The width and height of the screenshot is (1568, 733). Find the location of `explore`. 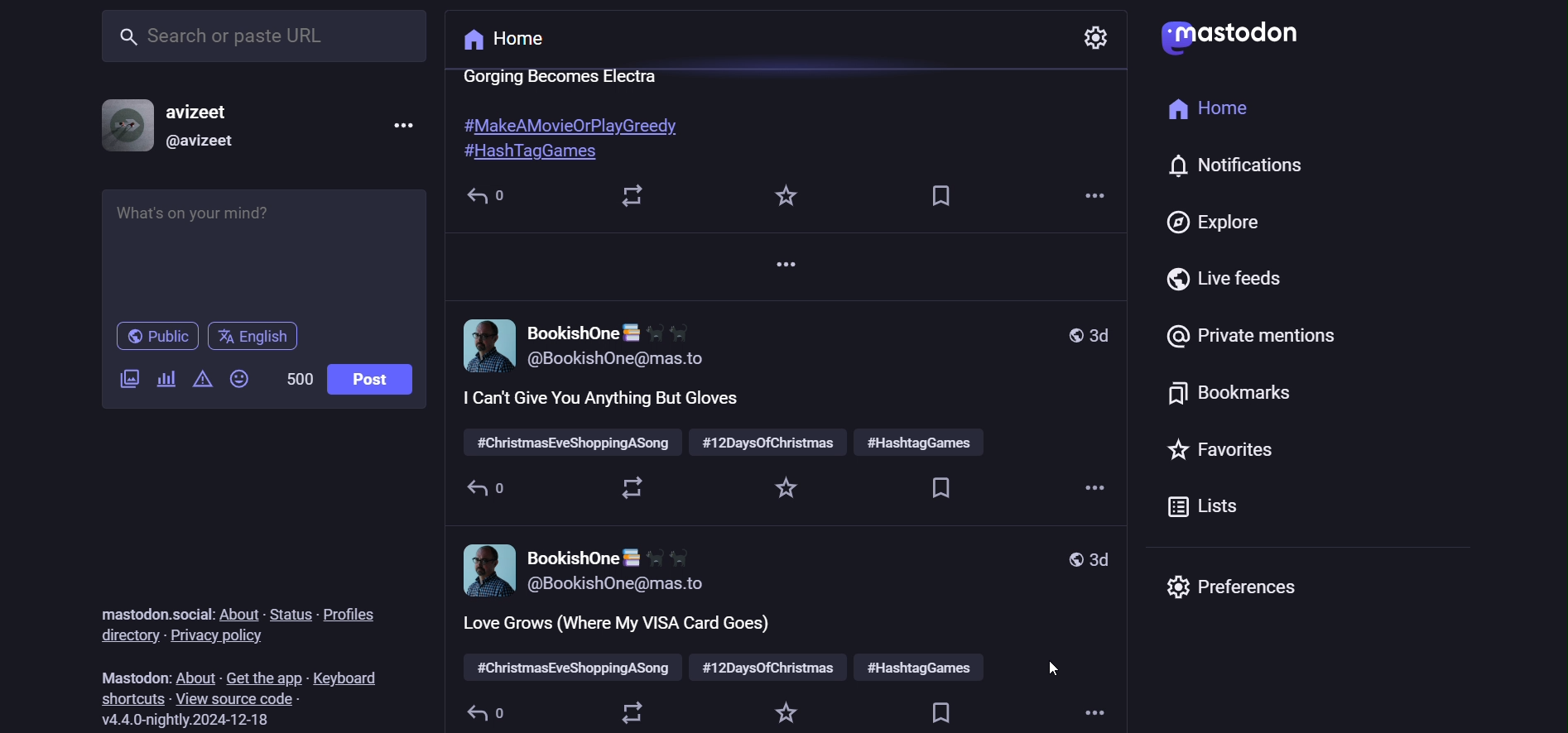

explore is located at coordinates (1215, 222).